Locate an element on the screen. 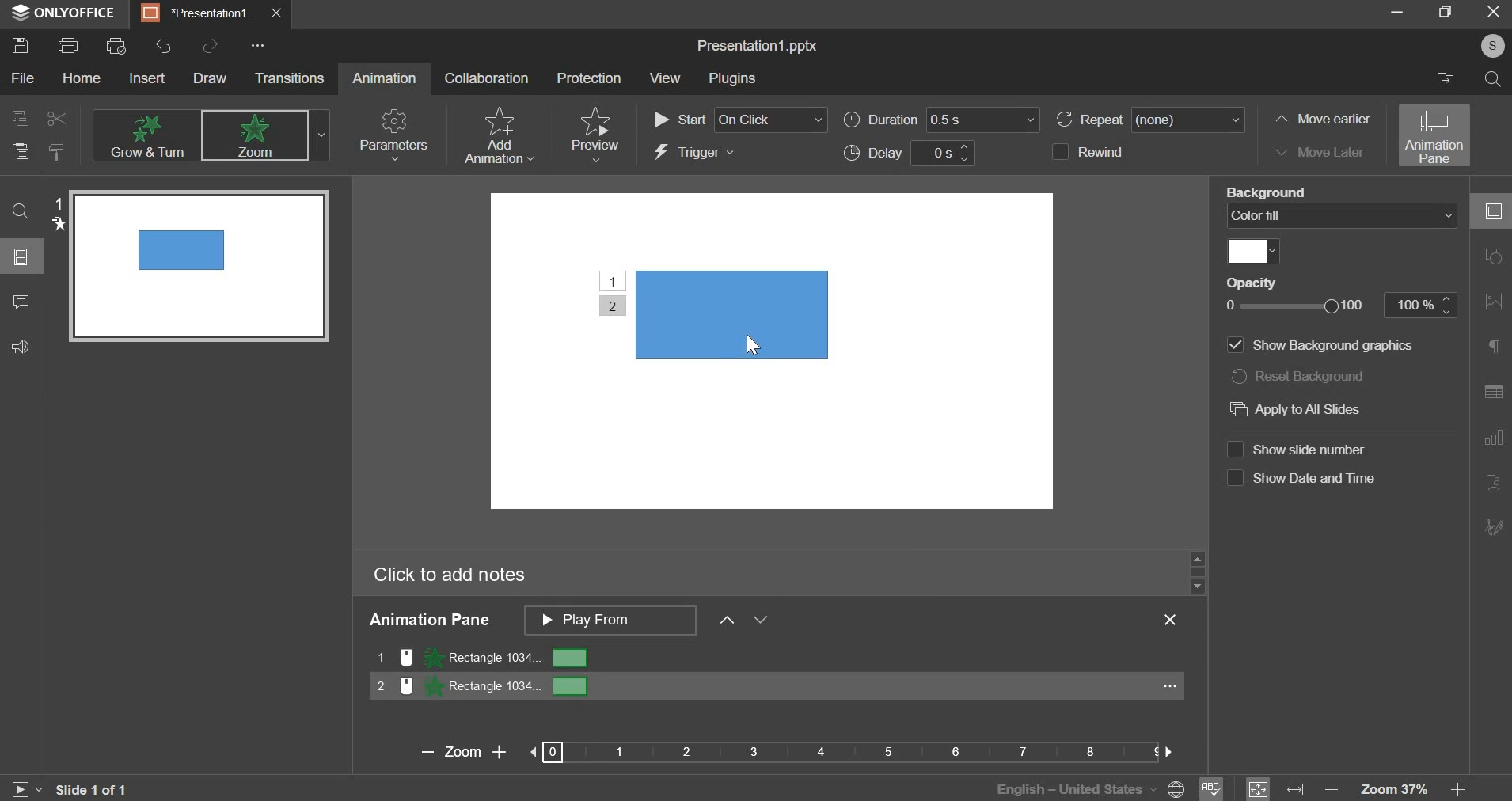  English - Unites States is located at coordinates (1073, 790).